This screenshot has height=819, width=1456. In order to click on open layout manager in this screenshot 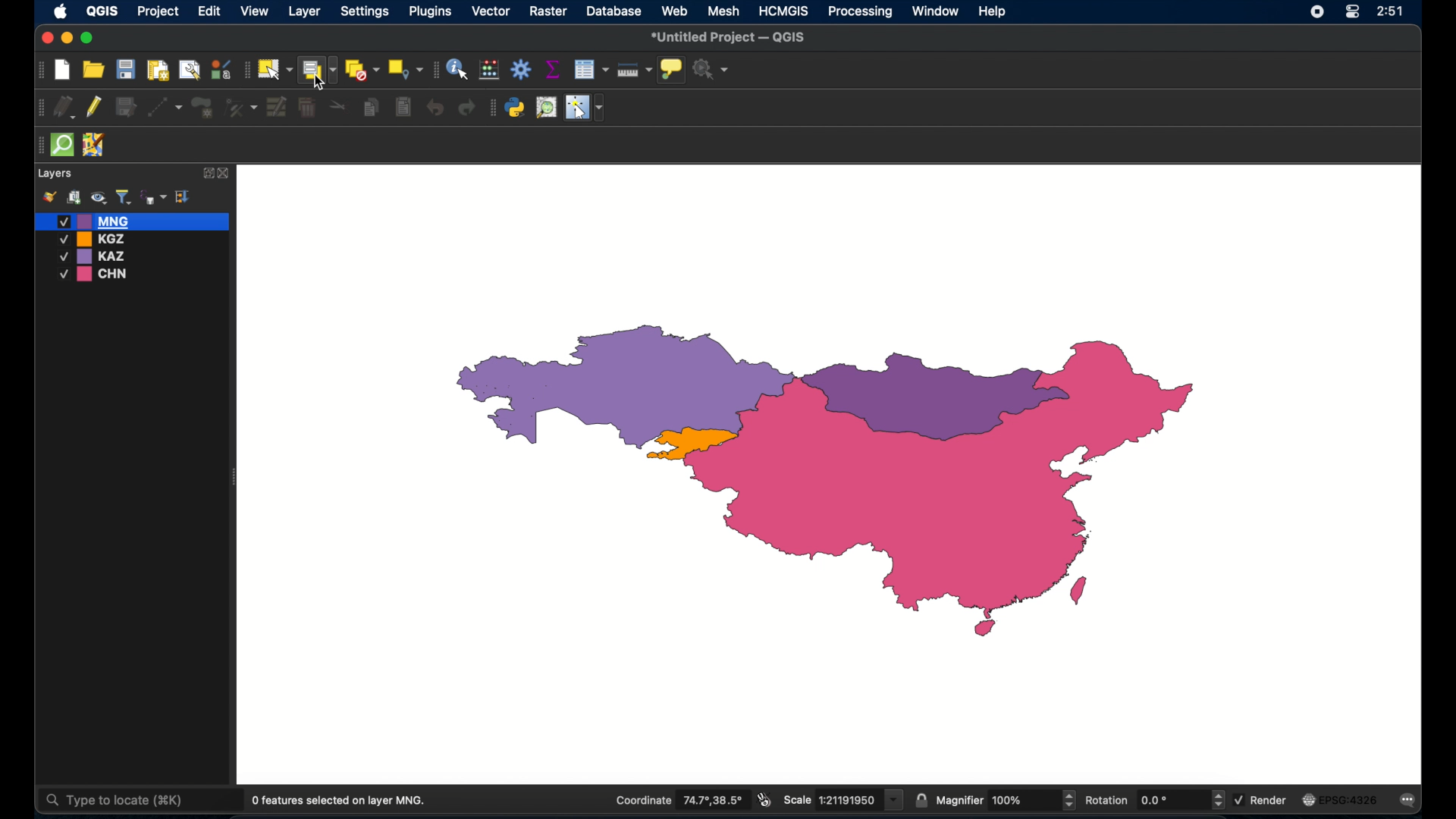, I will do `click(188, 69)`.